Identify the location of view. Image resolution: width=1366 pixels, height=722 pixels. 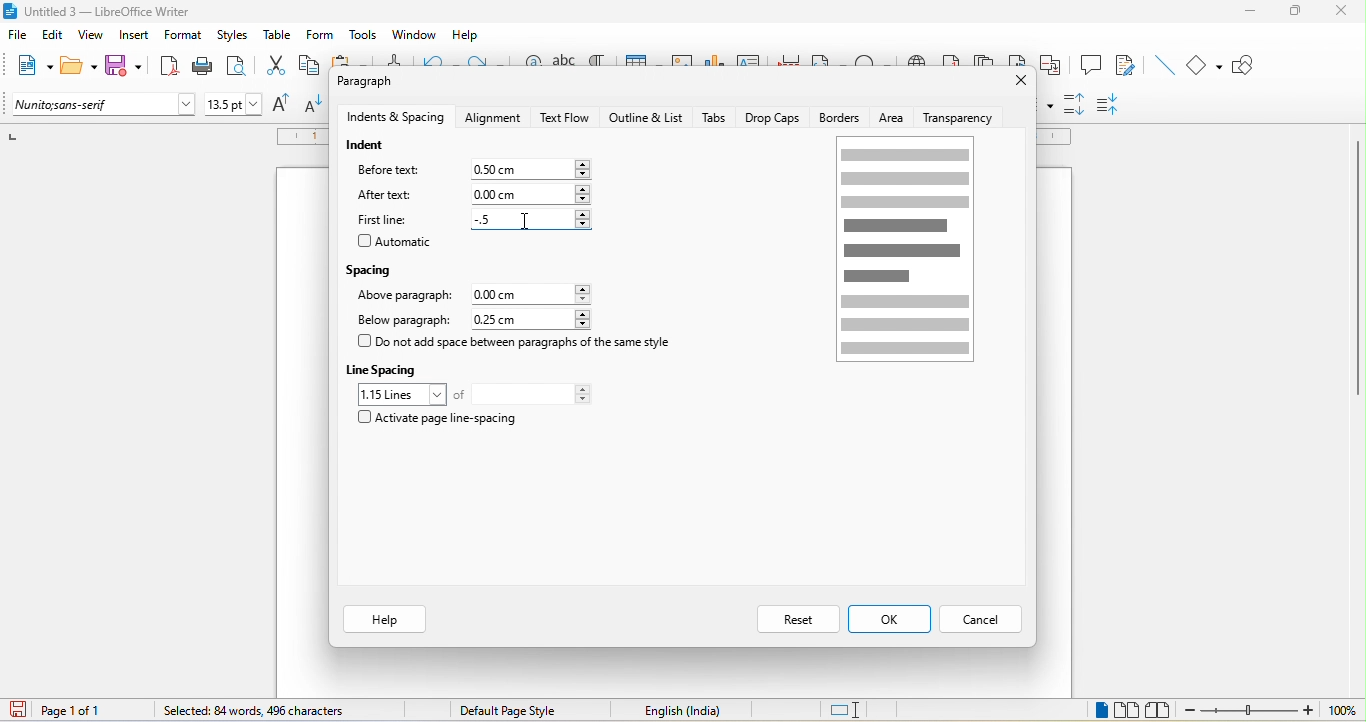
(91, 38).